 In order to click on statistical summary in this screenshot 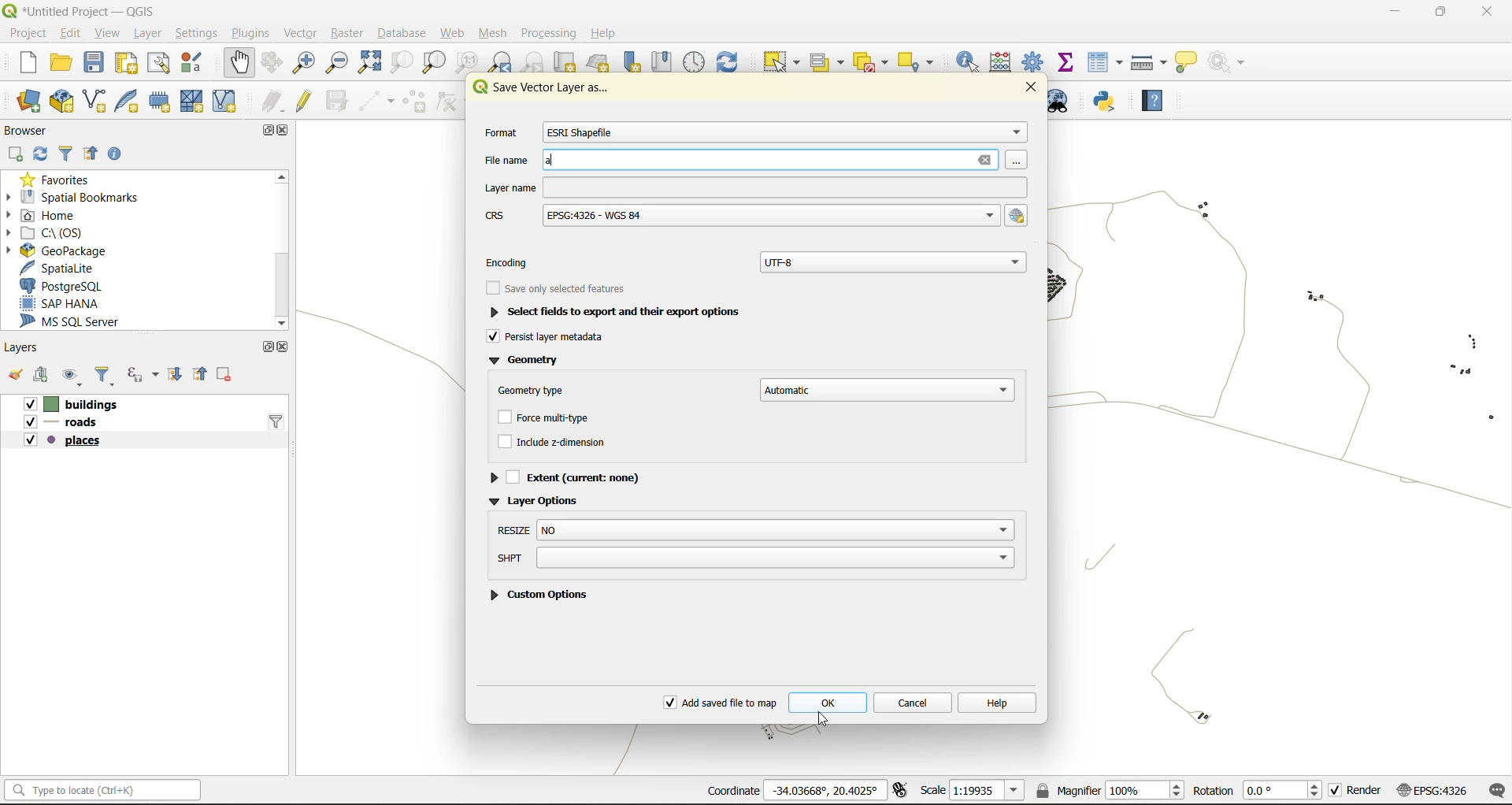, I will do `click(1071, 63)`.